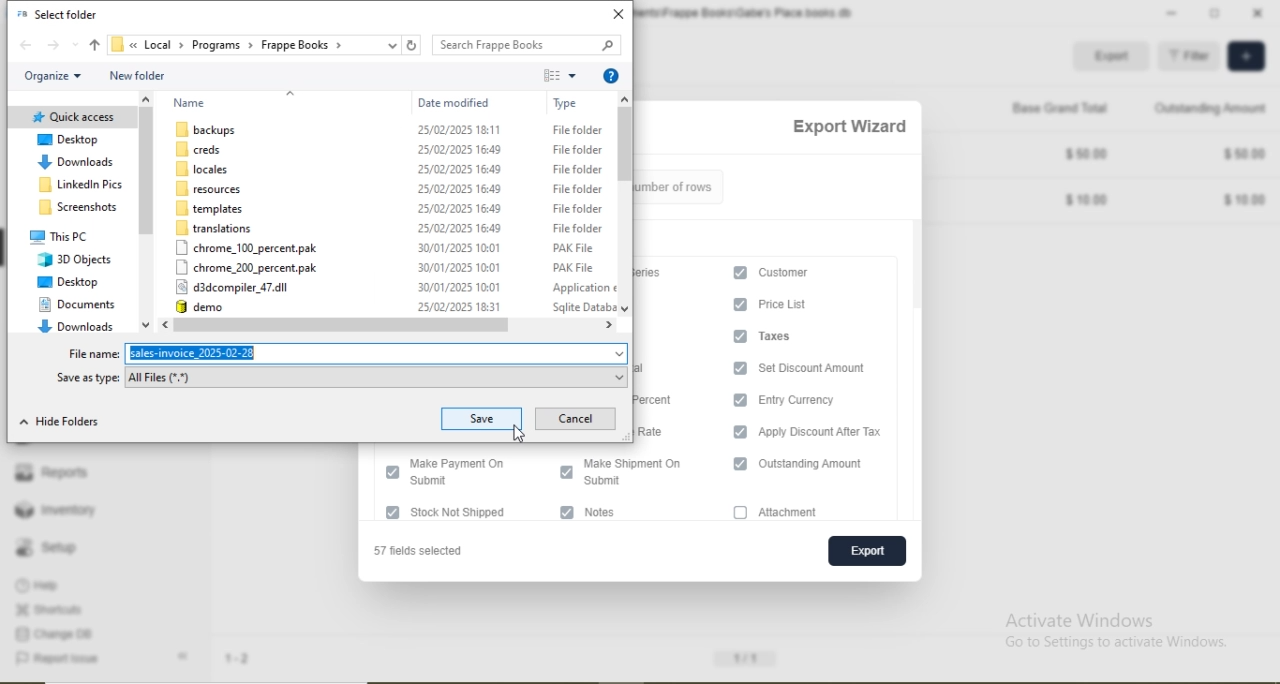 Image resolution: width=1280 pixels, height=684 pixels. Describe the element at coordinates (627, 201) in the screenshot. I see `scroll bar` at that location.